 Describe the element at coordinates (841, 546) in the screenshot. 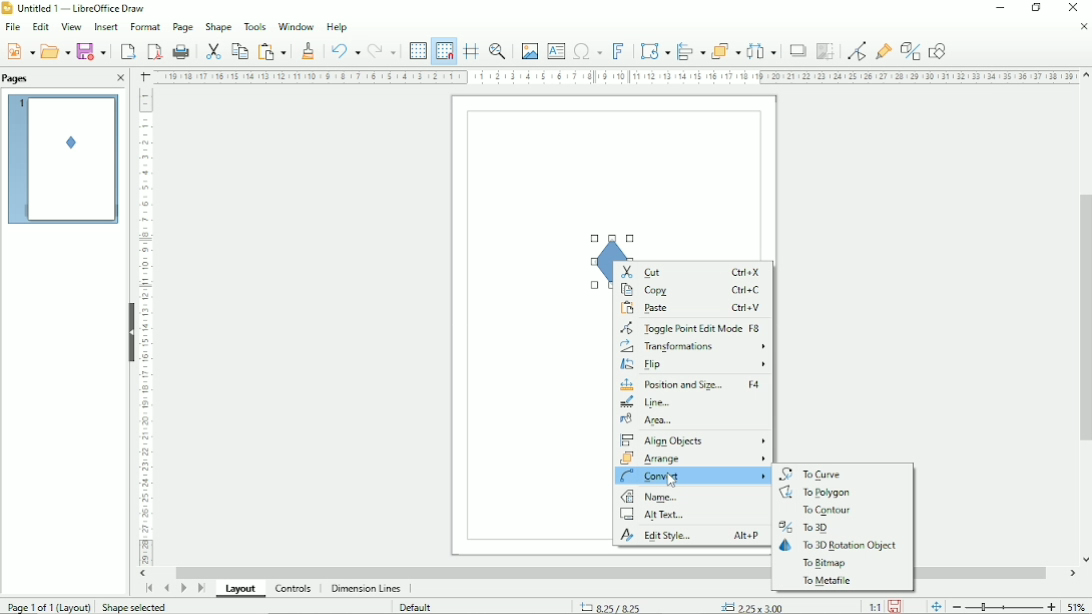

I see `To 3D rotation object` at that location.